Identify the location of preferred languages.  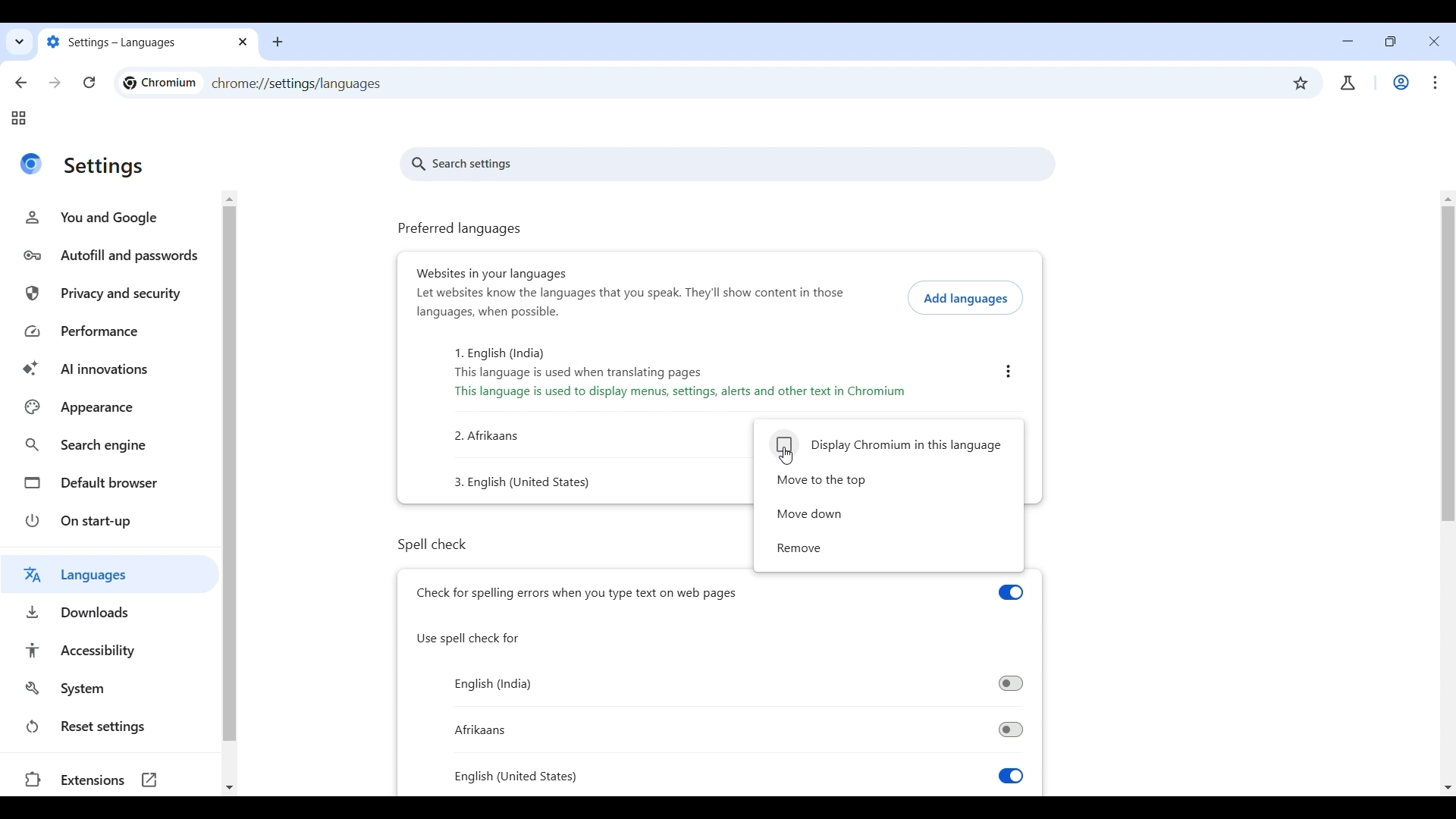
(460, 230).